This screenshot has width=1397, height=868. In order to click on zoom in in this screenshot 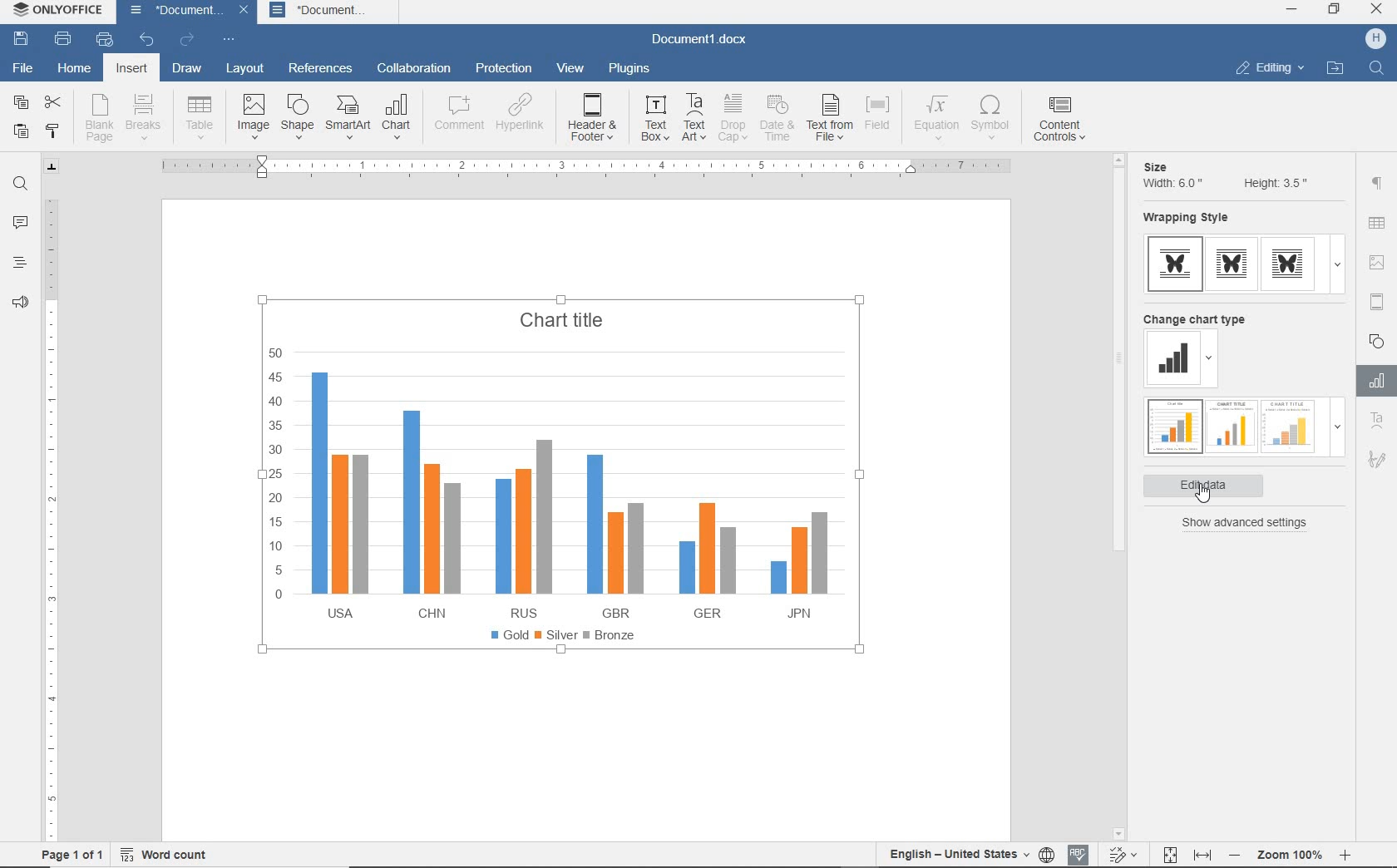, I will do `click(1346, 852)`.